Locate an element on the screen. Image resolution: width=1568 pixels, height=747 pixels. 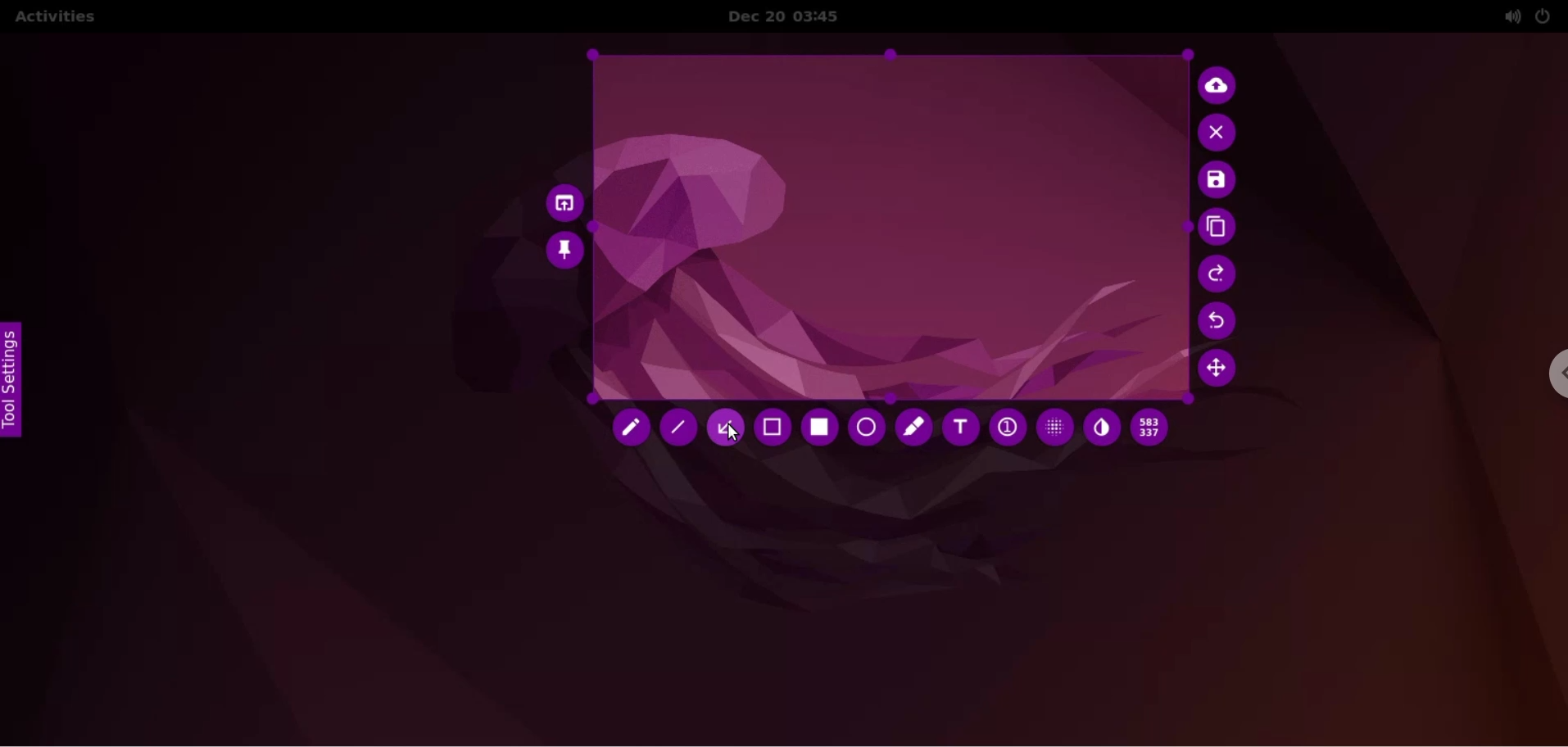
copy to clipboard is located at coordinates (1220, 229).